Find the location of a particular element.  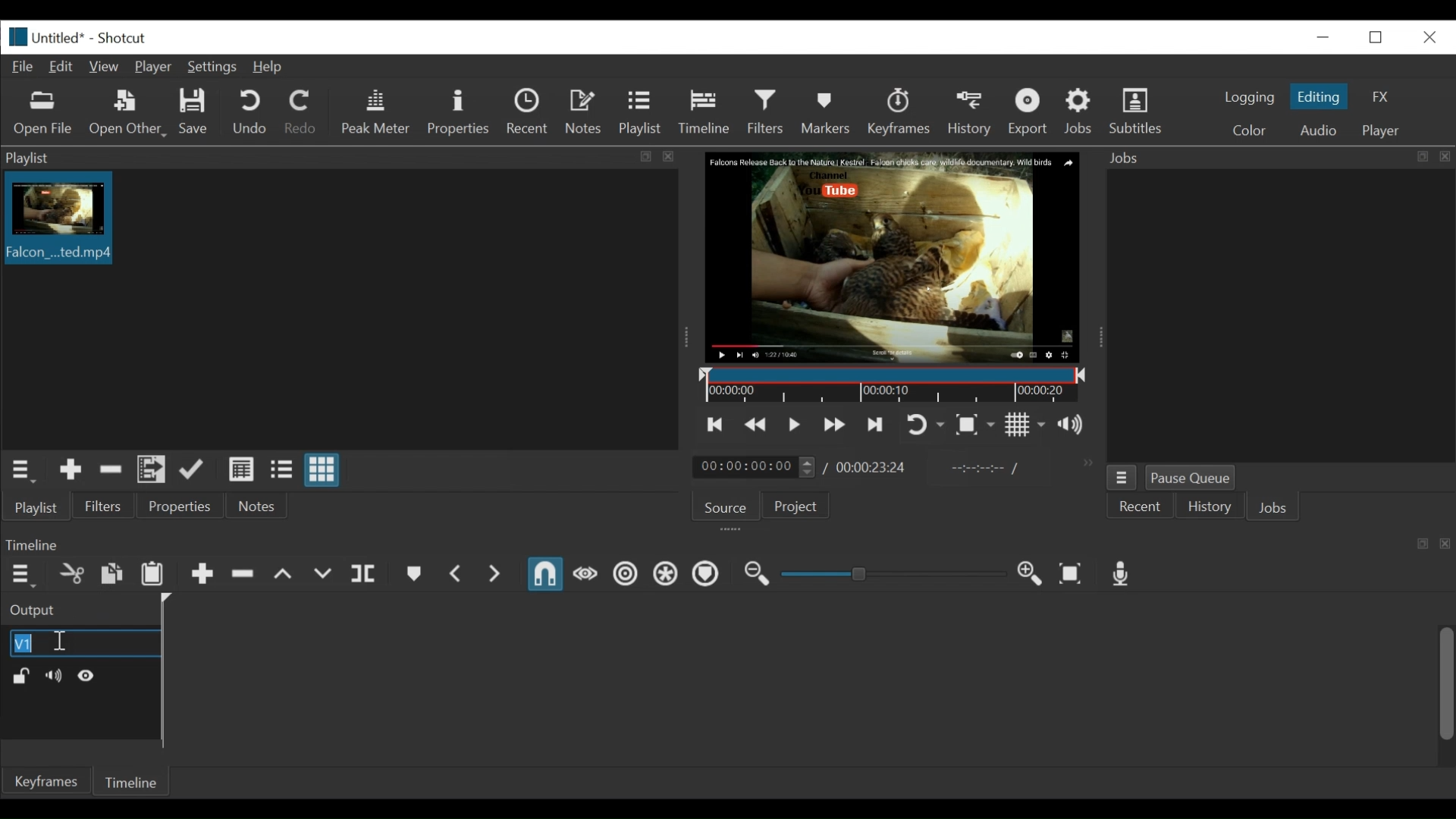

Overwrite is located at coordinates (324, 573).